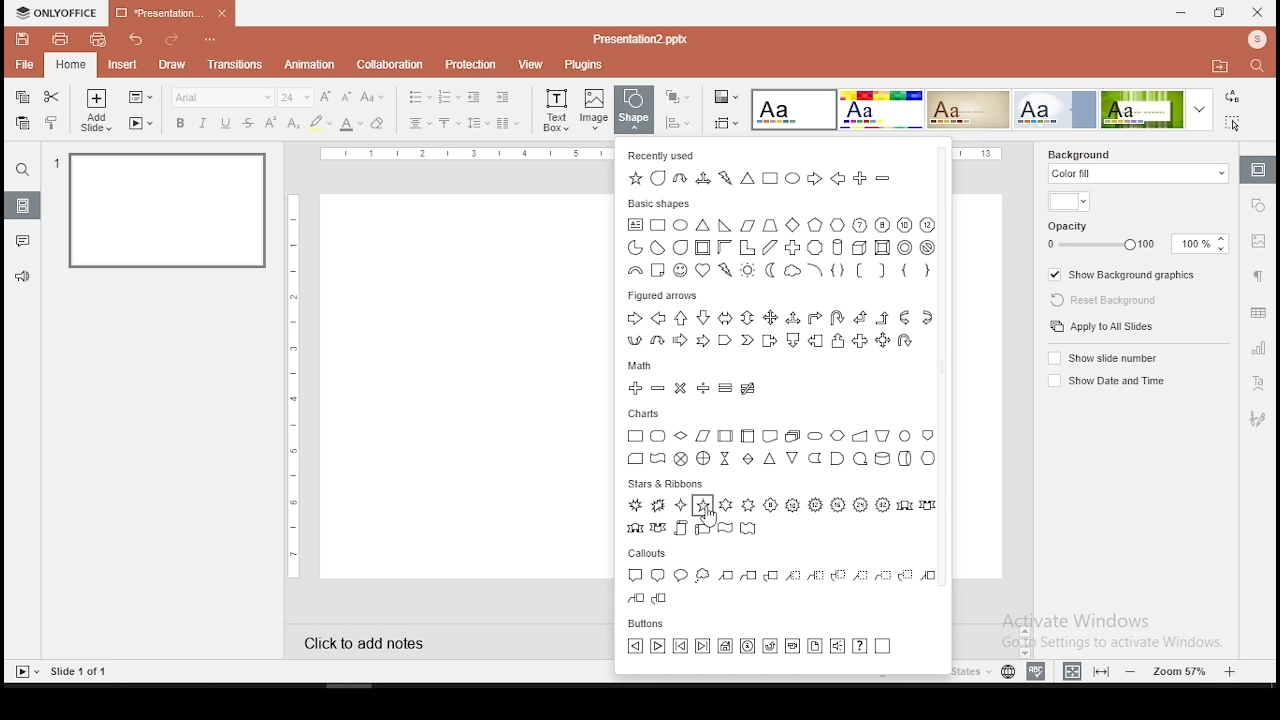  Describe the element at coordinates (677, 123) in the screenshot. I see `align shapes` at that location.